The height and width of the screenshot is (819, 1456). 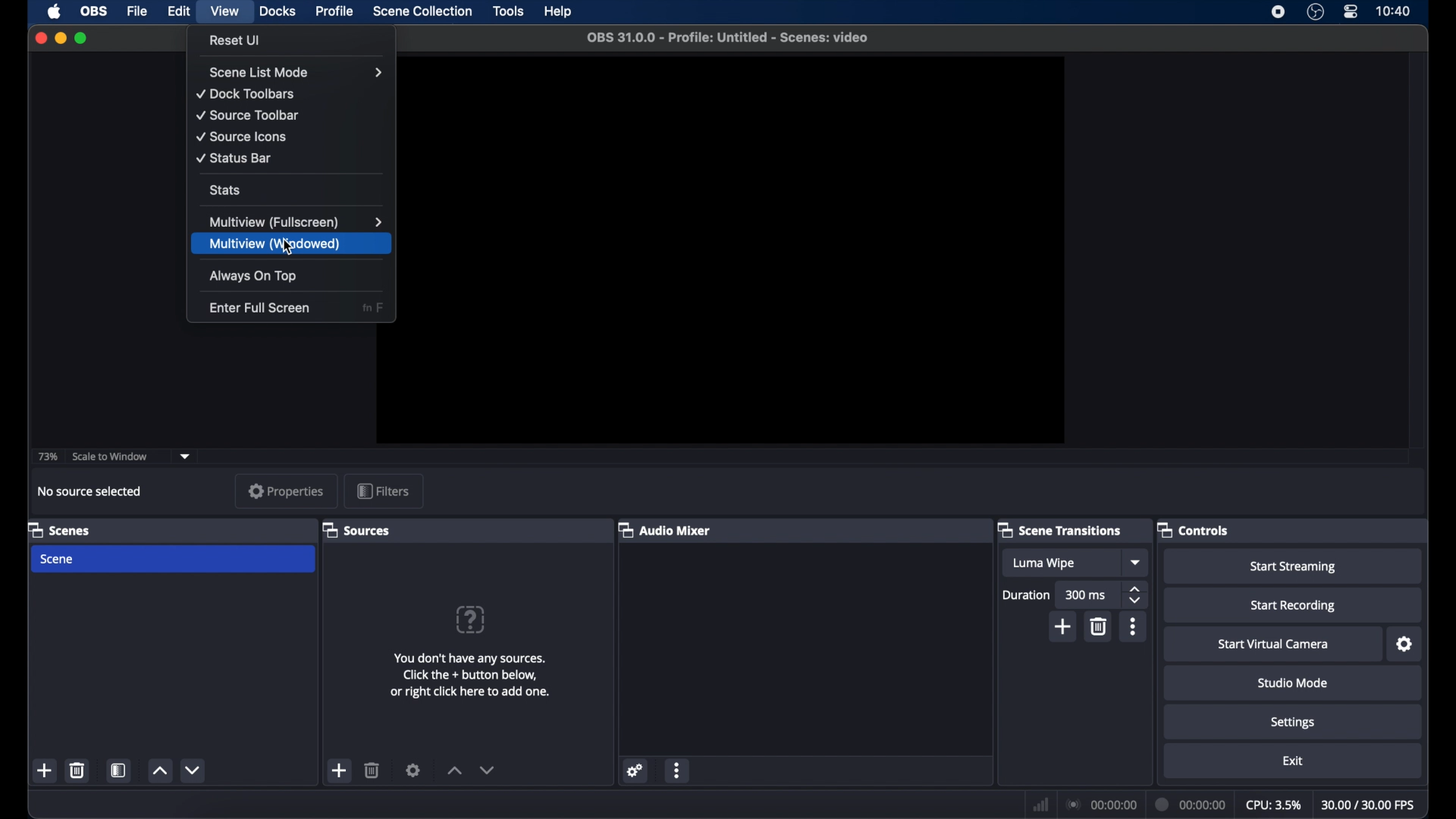 What do you see at coordinates (1293, 761) in the screenshot?
I see `exit` at bounding box center [1293, 761].